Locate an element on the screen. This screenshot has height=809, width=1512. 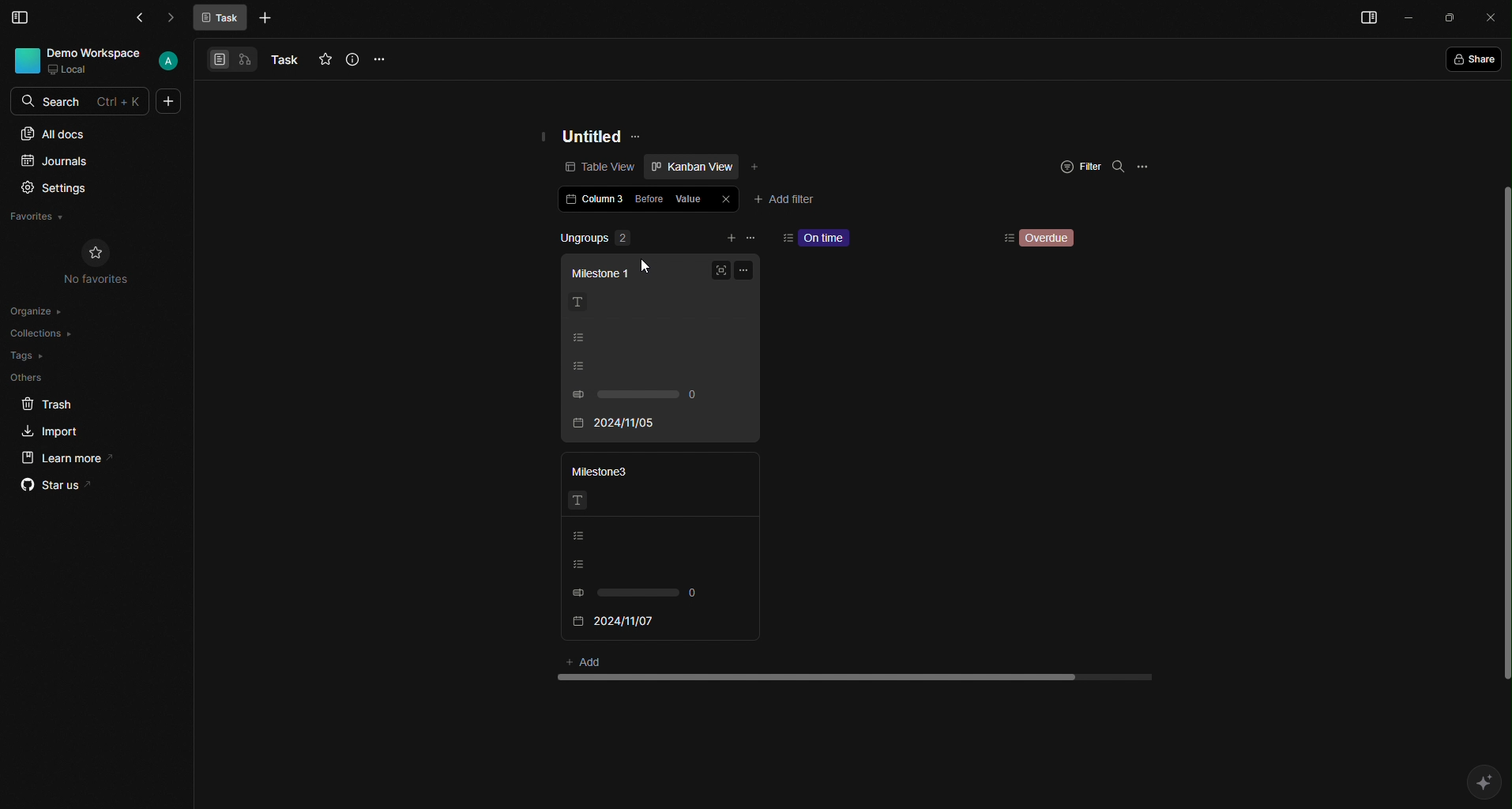
No Favorites is located at coordinates (96, 263).